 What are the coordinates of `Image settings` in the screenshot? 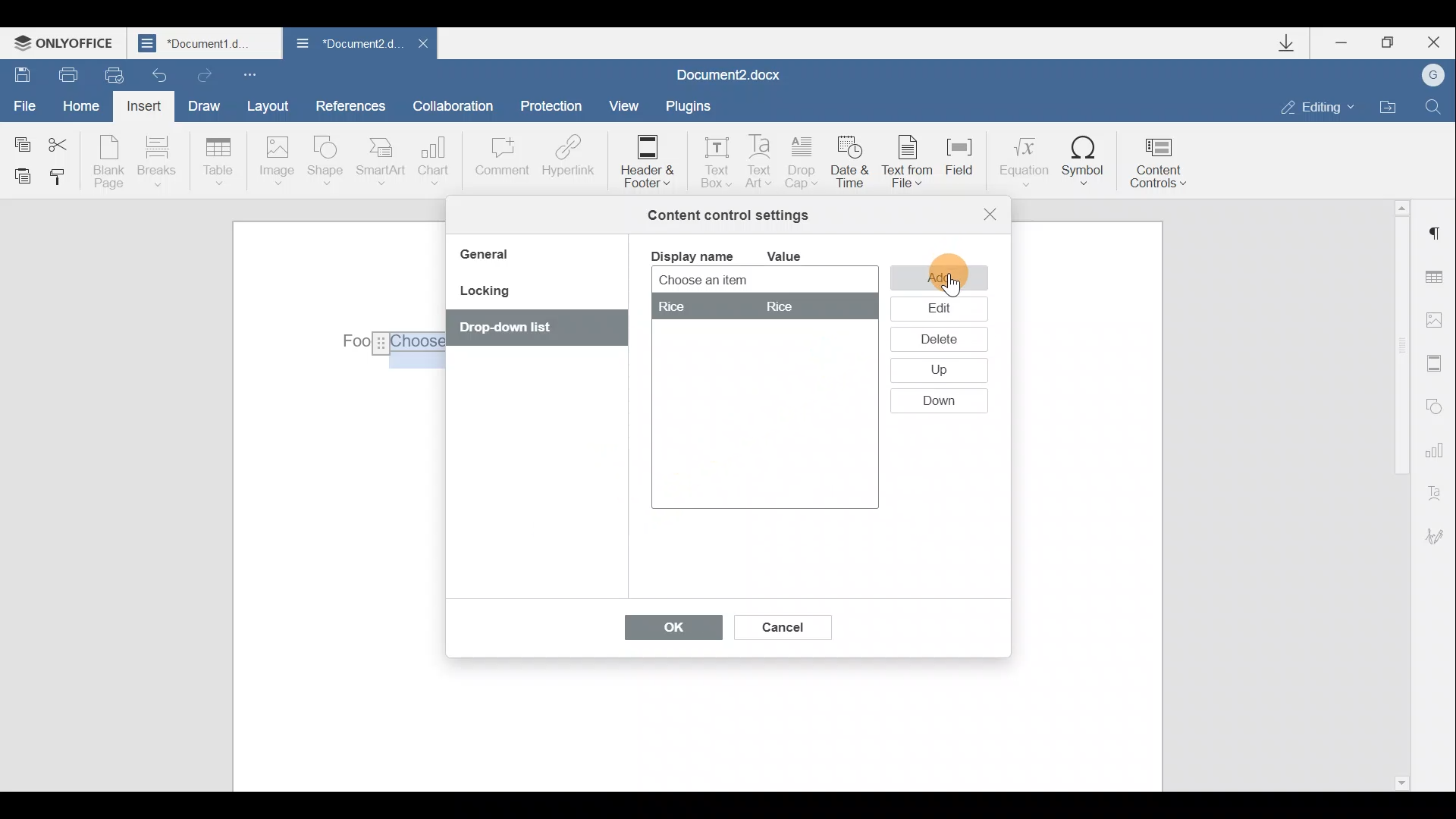 It's located at (1438, 320).